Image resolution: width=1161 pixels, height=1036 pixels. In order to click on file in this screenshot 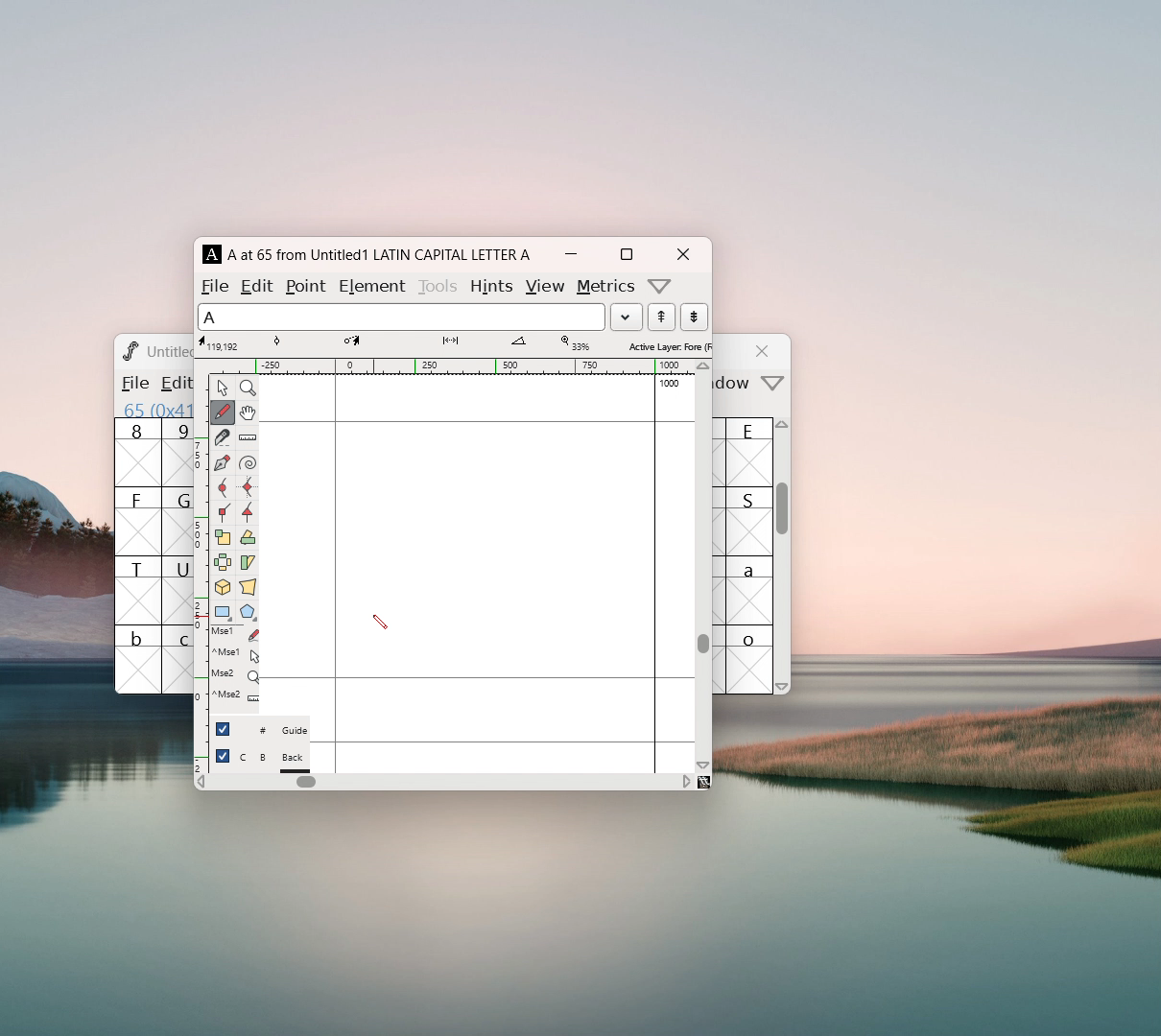, I will do `click(215, 286)`.